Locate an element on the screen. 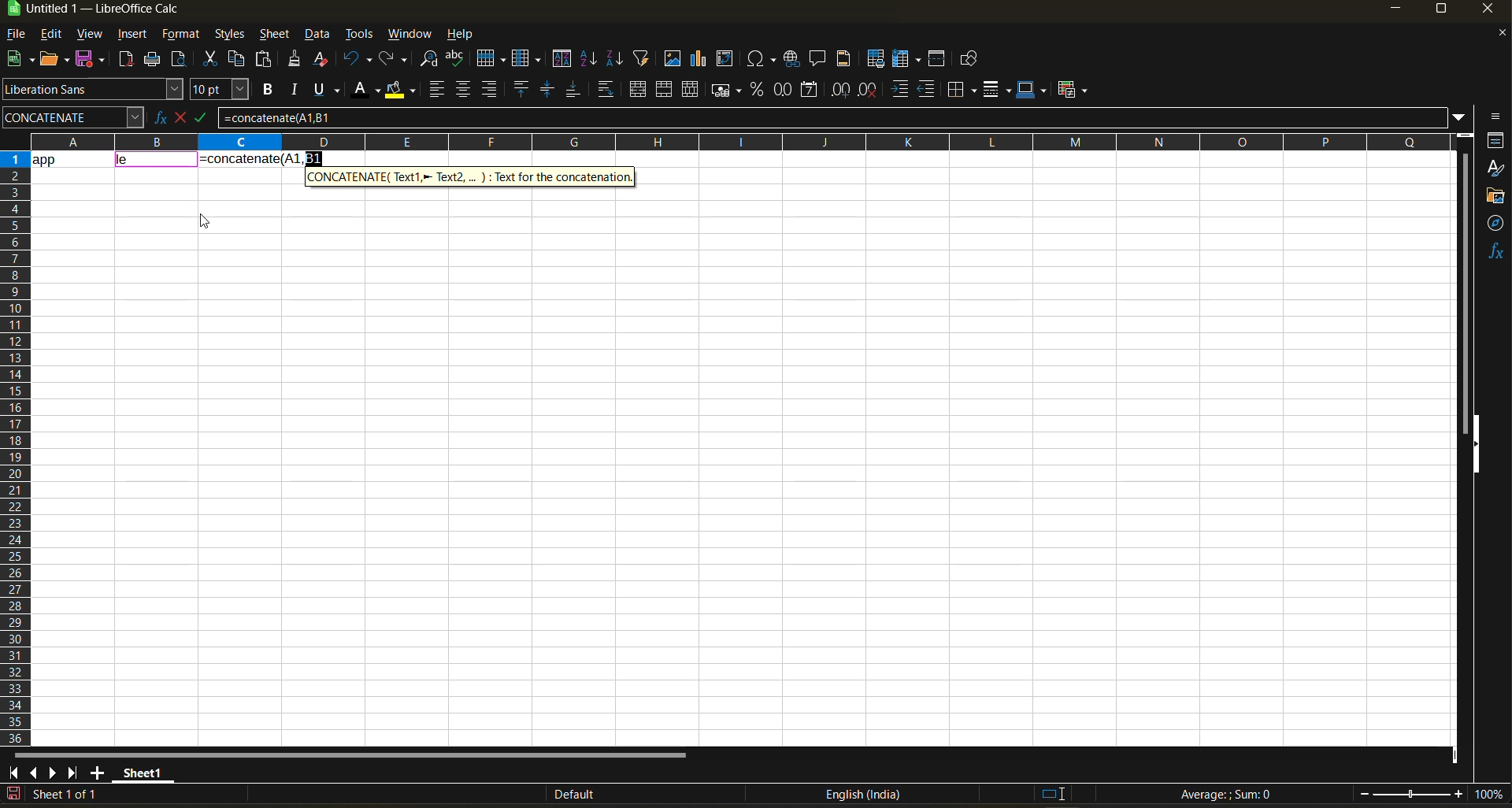  styles is located at coordinates (1495, 169).